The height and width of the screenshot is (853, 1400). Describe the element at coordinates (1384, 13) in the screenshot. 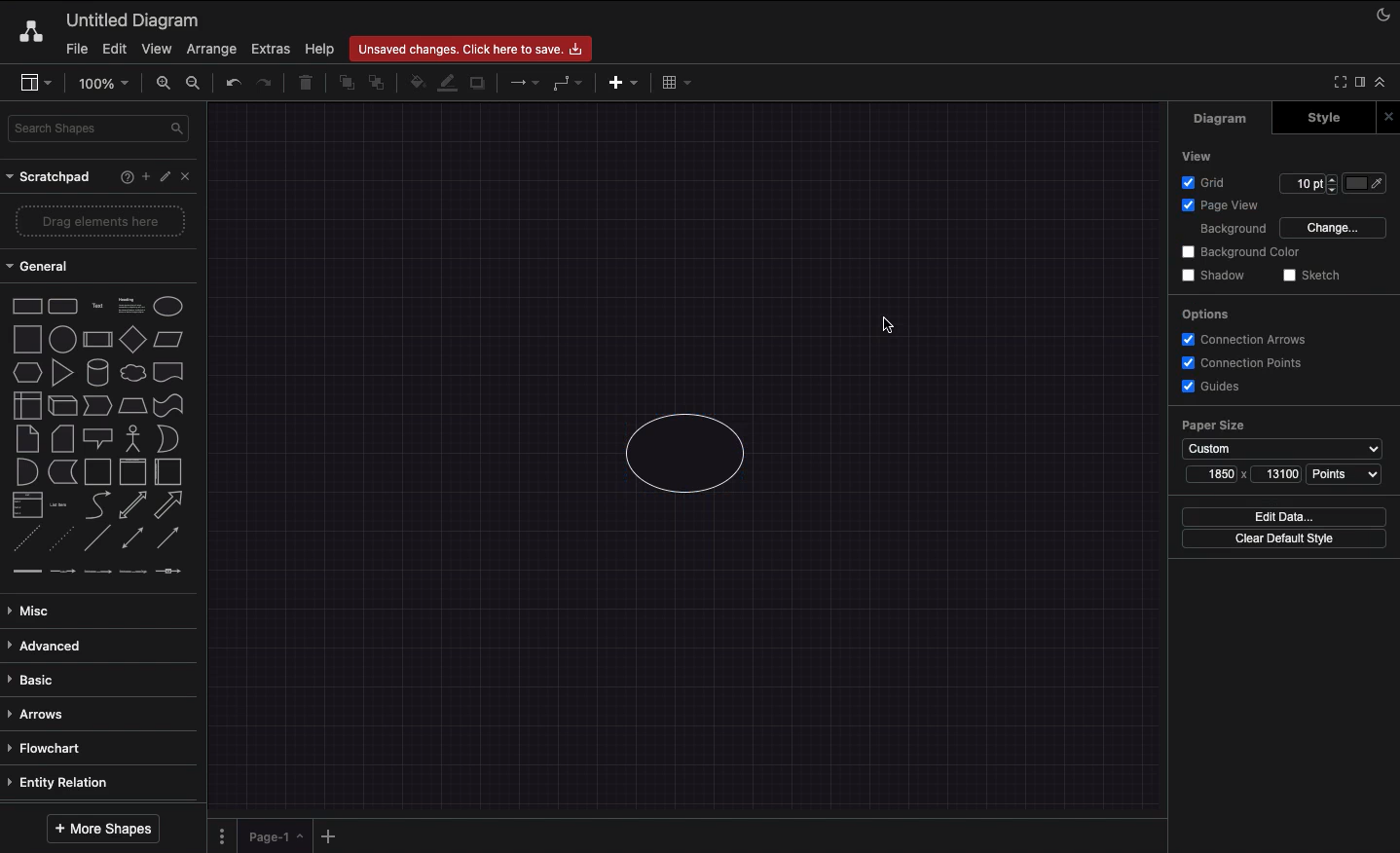

I see `Night mode ` at that location.